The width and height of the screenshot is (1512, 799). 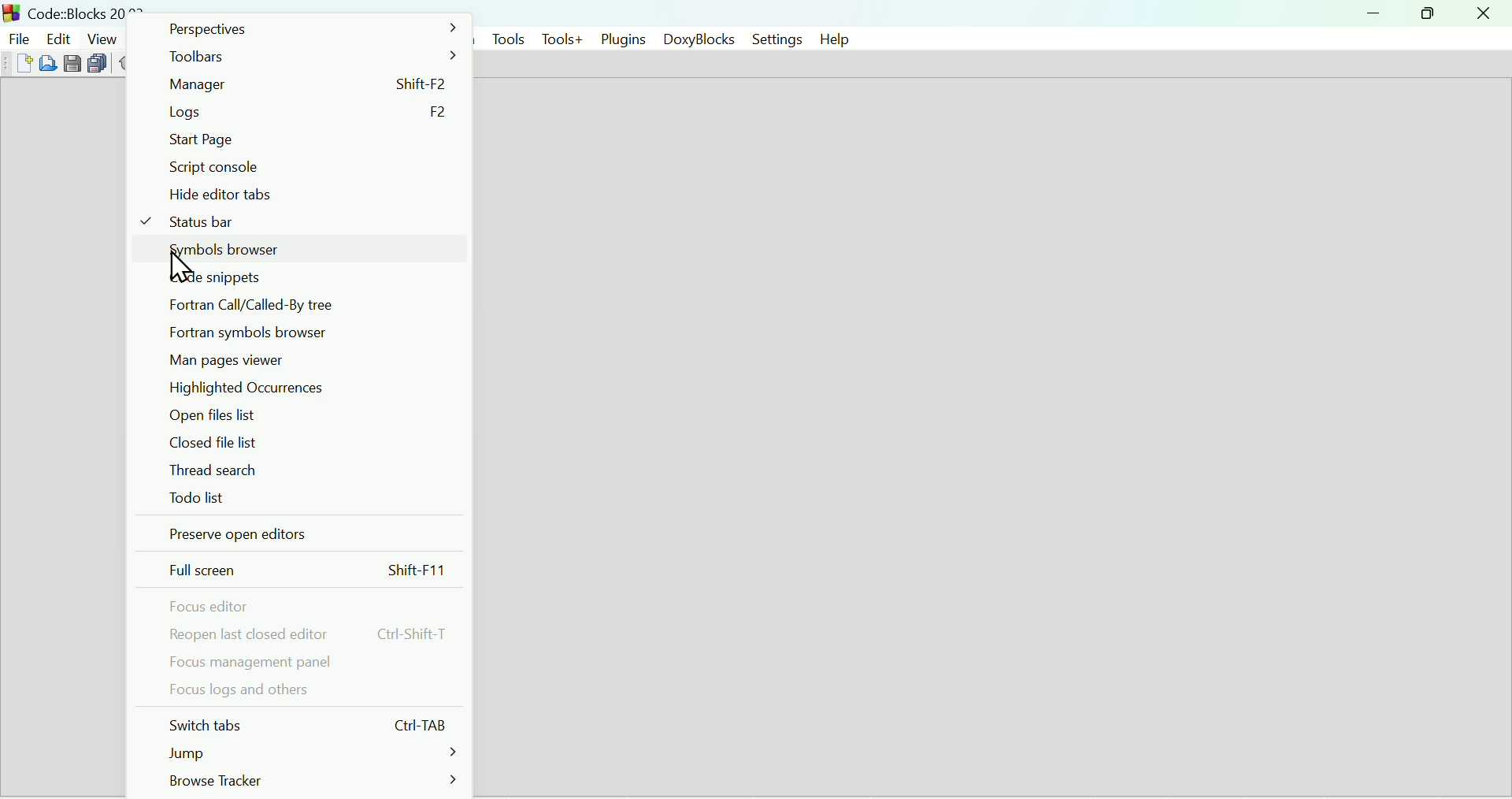 What do you see at coordinates (305, 723) in the screenshot?
I see `Switch tabs` at bounding box center [305, 723].